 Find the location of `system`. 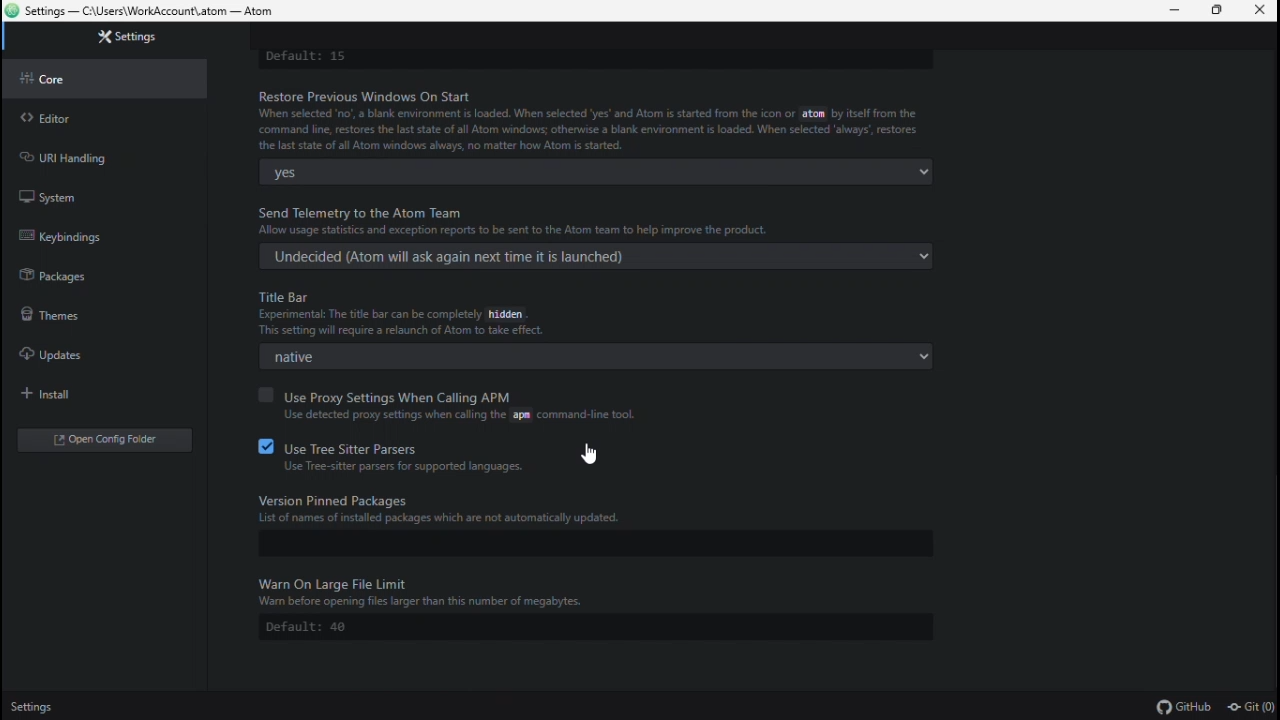

system is located at coordinates (83, 194).